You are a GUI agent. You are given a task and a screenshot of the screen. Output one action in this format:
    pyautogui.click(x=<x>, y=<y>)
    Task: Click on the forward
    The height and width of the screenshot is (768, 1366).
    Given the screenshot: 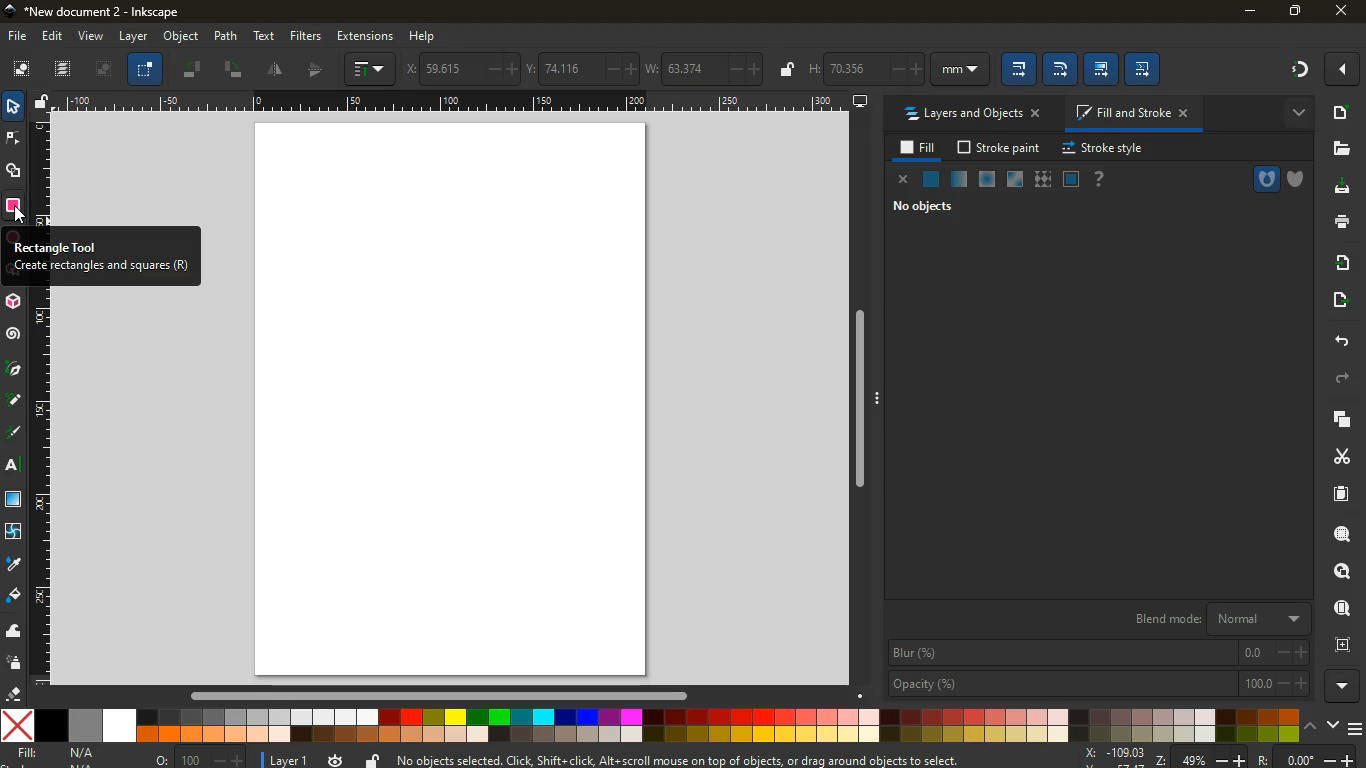 What is the action you would take?
    pyautogui.click(x=1340, y=378)
    